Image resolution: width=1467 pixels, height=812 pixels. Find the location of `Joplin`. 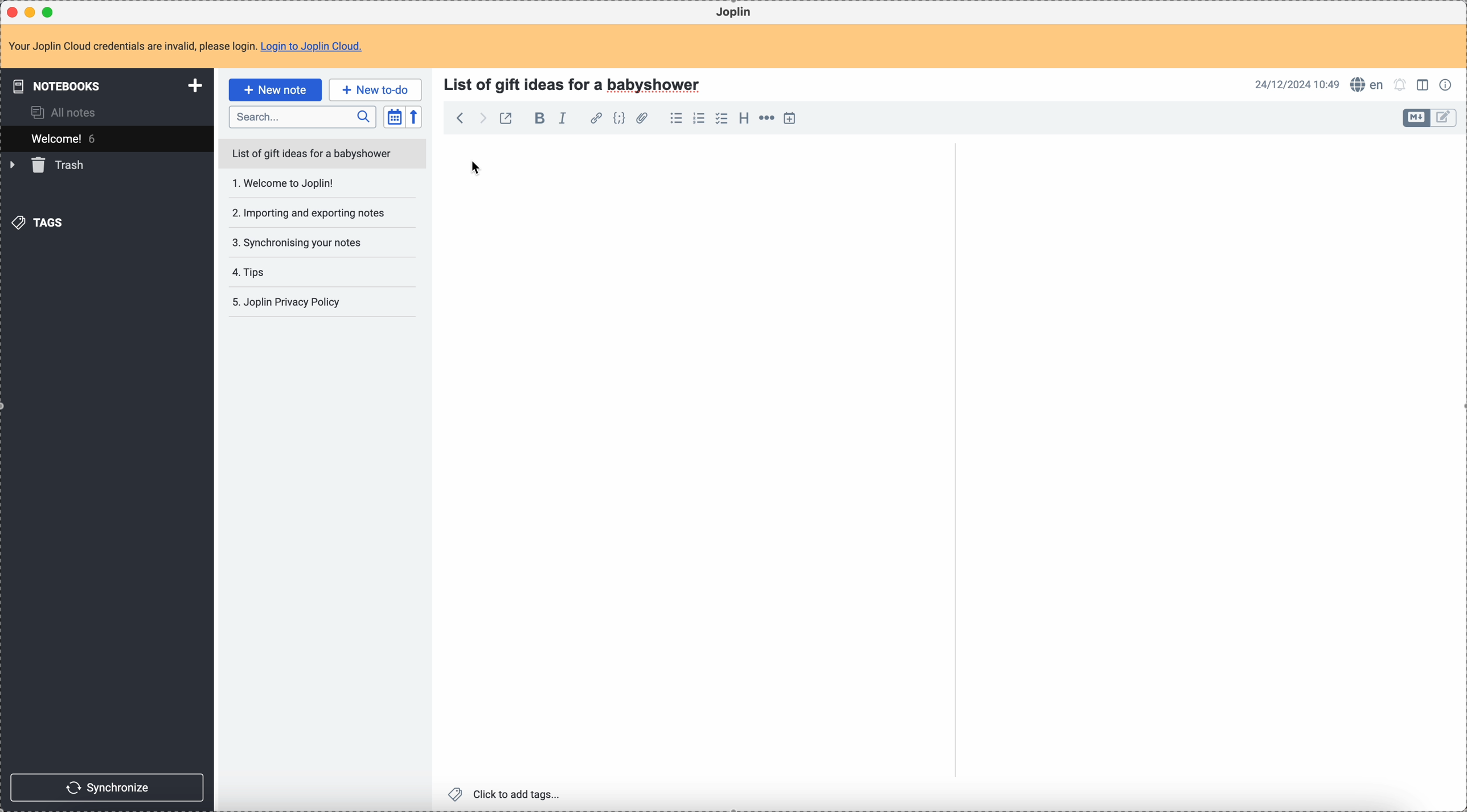

Joplin is located at coordinates (736, 13).